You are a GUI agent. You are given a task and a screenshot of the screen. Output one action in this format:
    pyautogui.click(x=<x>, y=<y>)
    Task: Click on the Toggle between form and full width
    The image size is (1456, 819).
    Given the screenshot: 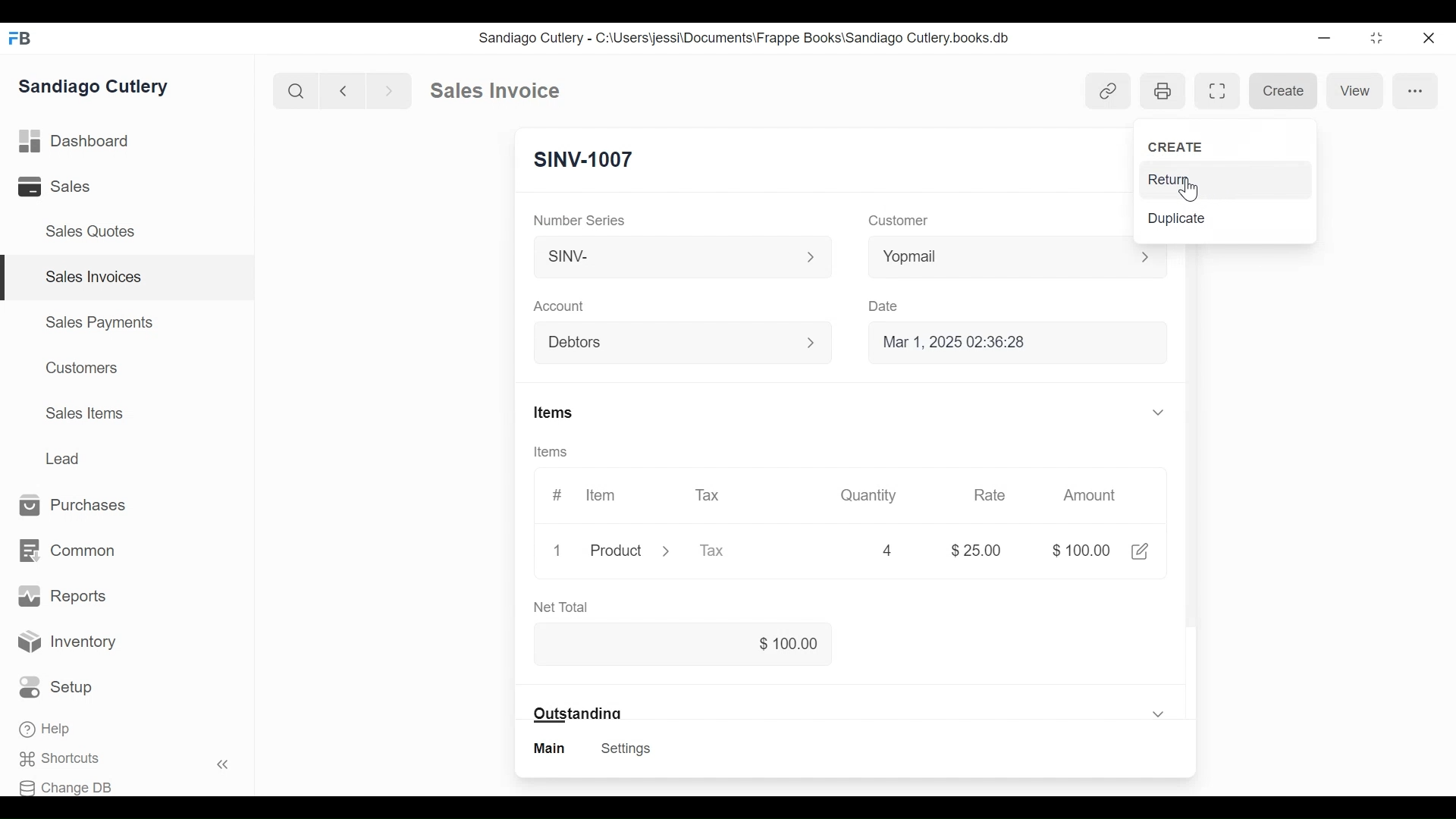 What is the action you would take?
    pyautogui.click(x=1219, y=91)
    